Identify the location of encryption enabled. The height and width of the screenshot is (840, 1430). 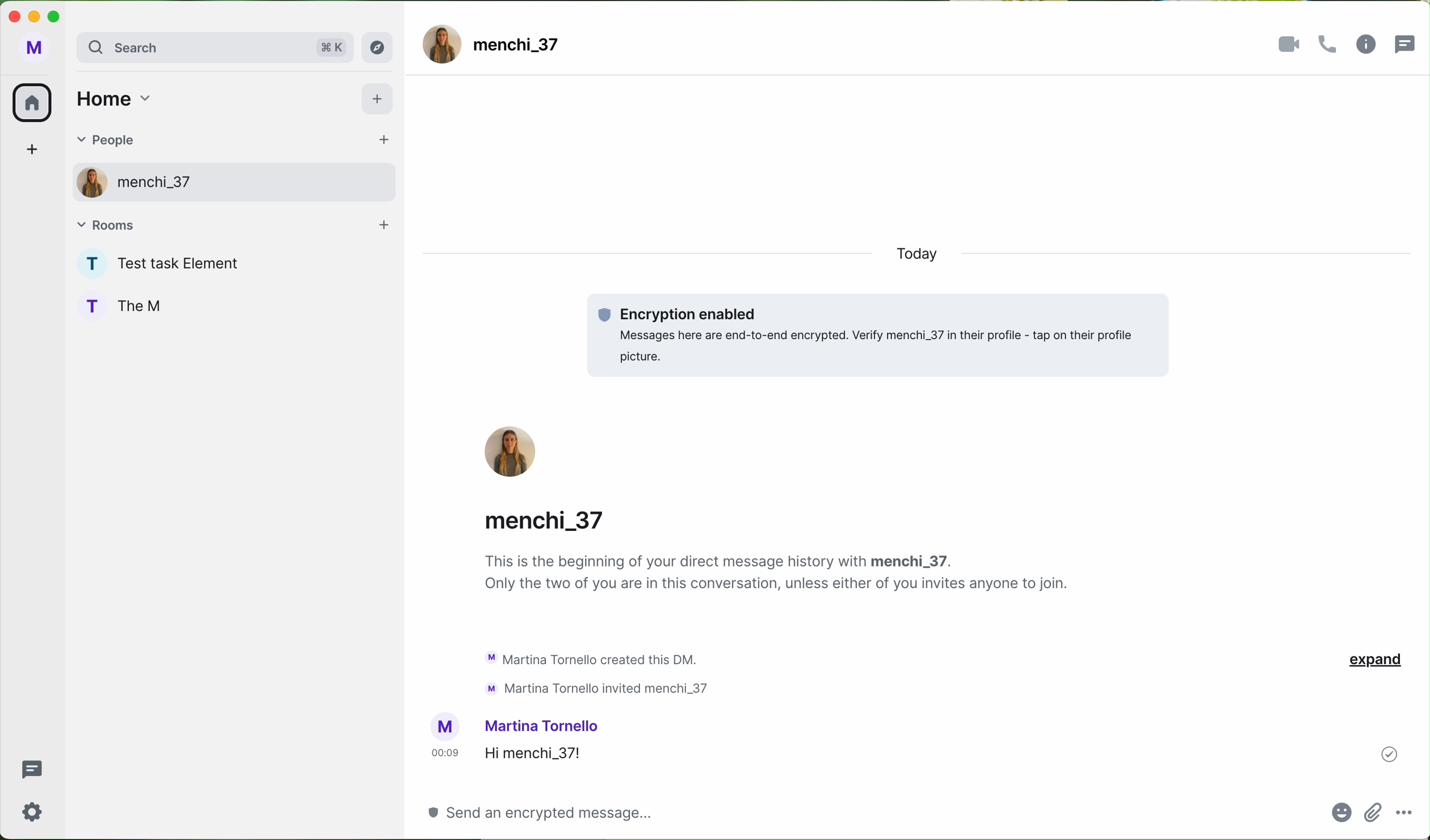
(880, 336).